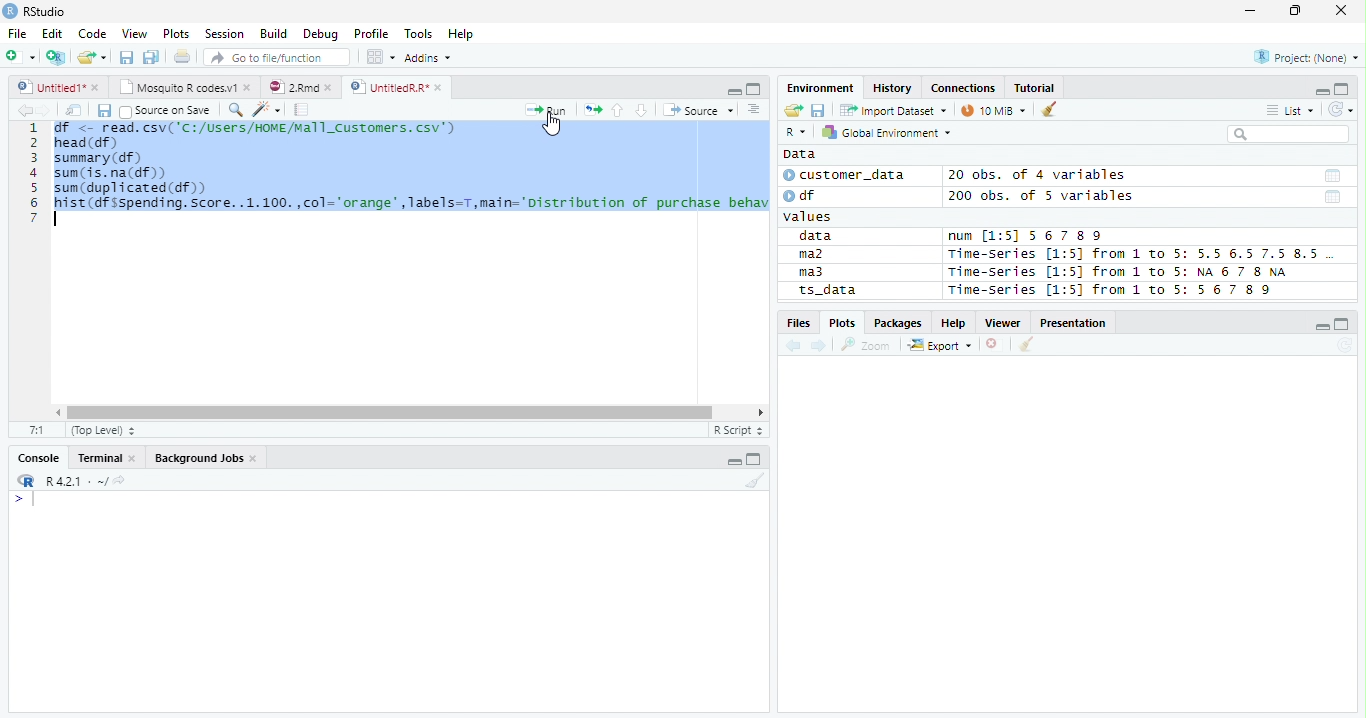  Describe the element at coordinates (274, 58) in the screenshot. I see `Go to file/function` at that location.